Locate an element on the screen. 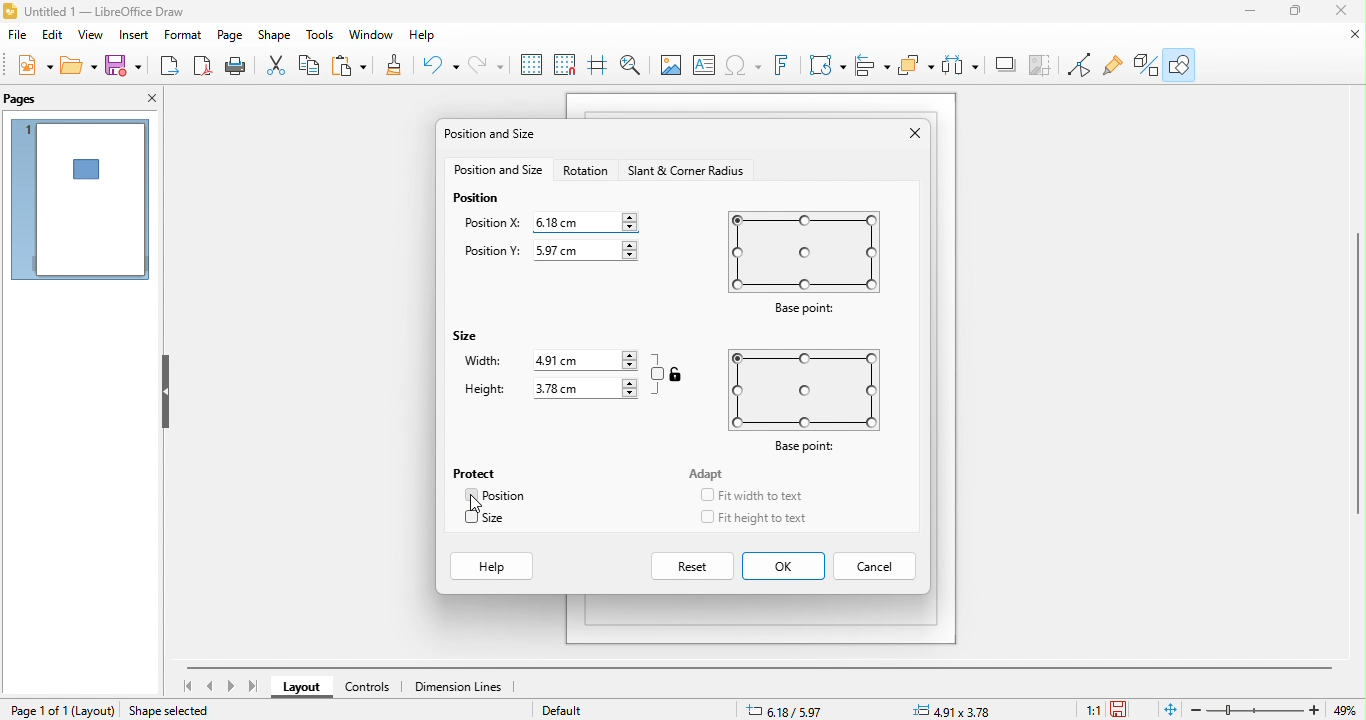 Image resolution: width=1366 pixels, height=720 pixels. Checkbox  is located at coordinates (469, 495).